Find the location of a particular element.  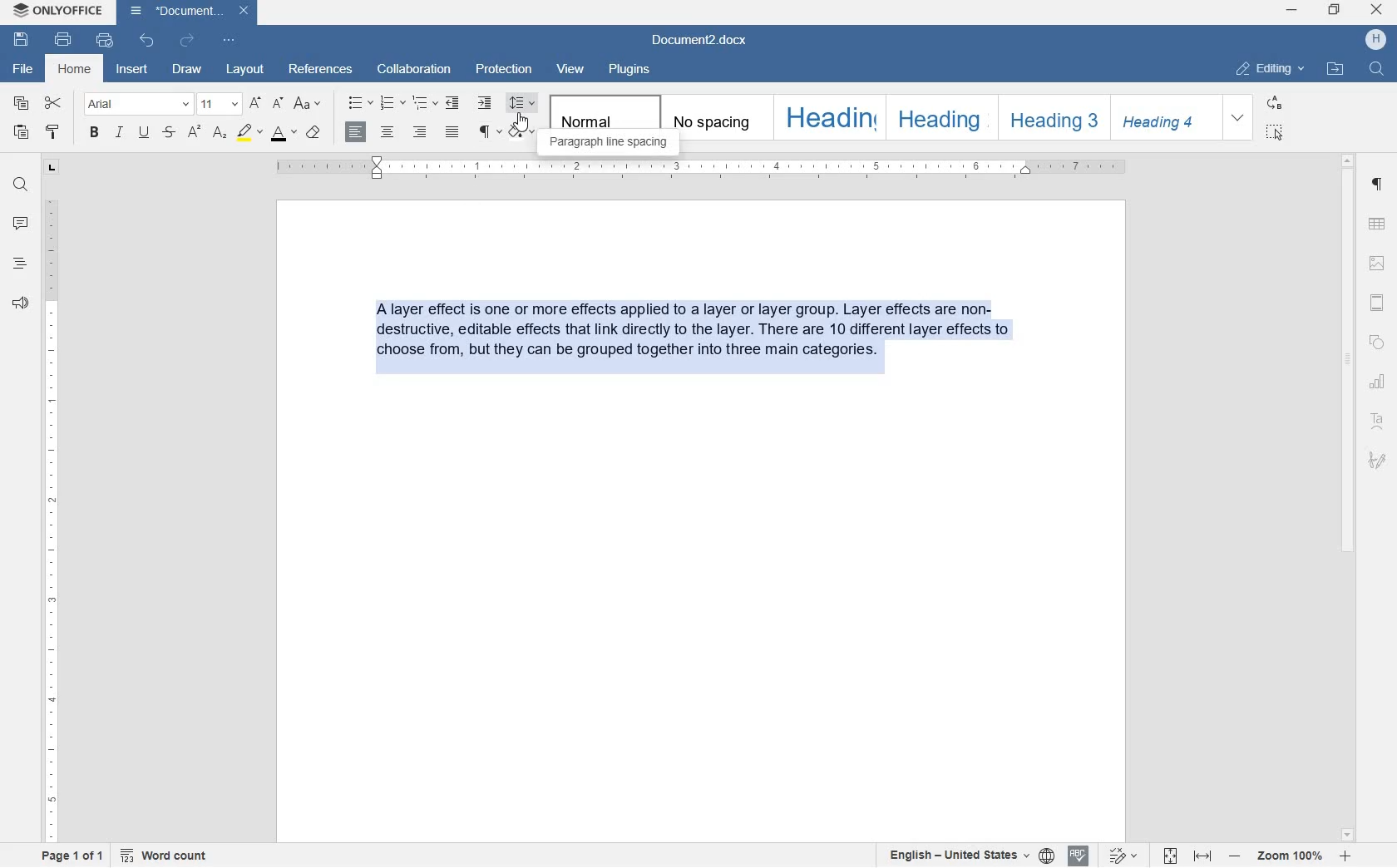

paragraph line spacing is located at coordinates (609, 143).